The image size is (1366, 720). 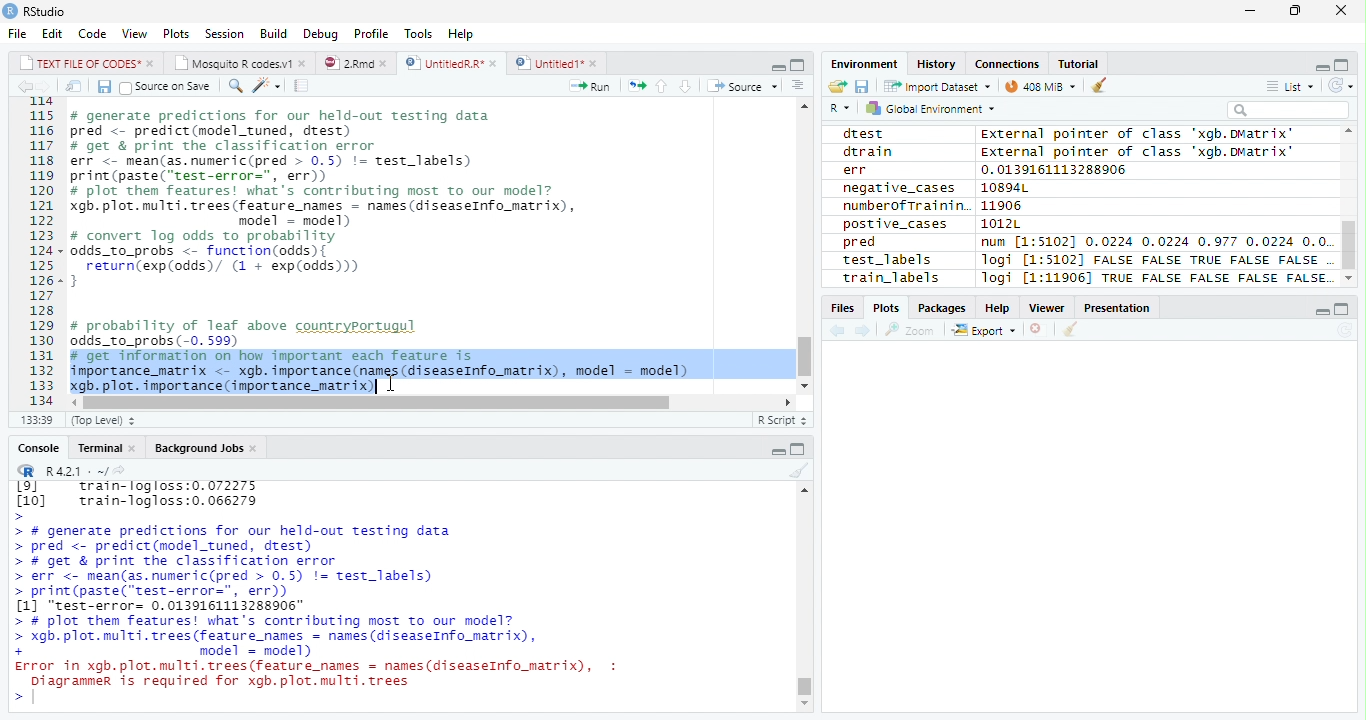 What do you see at coordinates (1341, 307) in the screenshot?
I see `Maximize` at bounding box center [1341, 307].